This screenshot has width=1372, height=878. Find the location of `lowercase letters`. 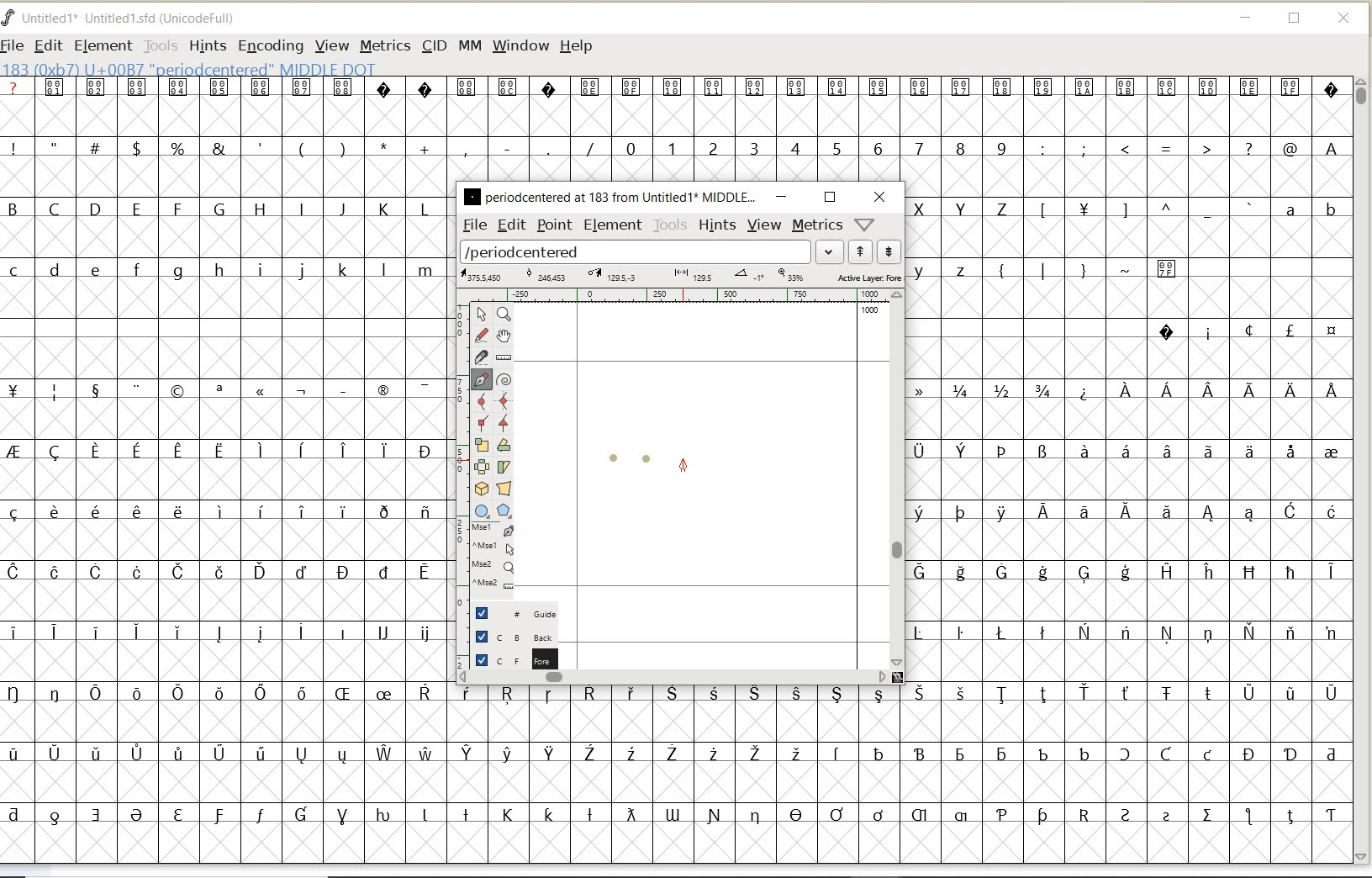

lowercase letters is located at coordinates (950, 269).